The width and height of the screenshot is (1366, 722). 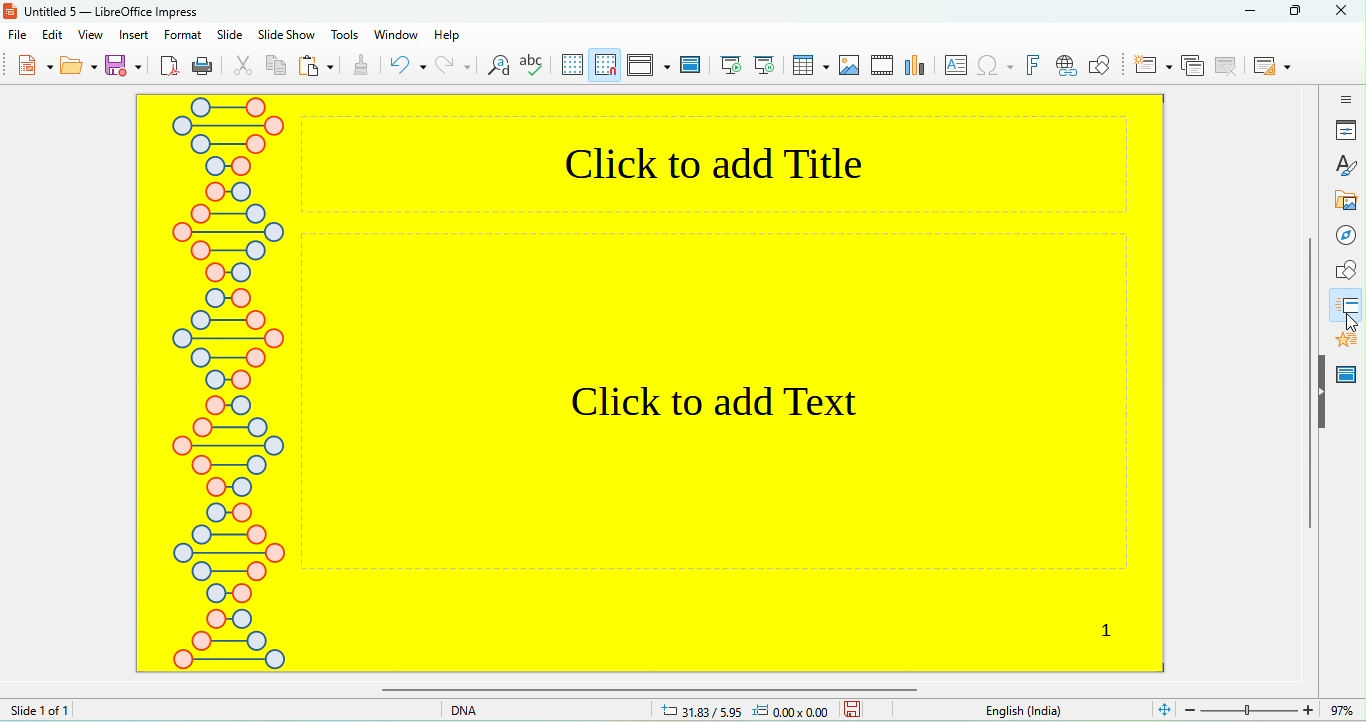 I want to click on 31.83/5.95, so click(x=696, y=710).